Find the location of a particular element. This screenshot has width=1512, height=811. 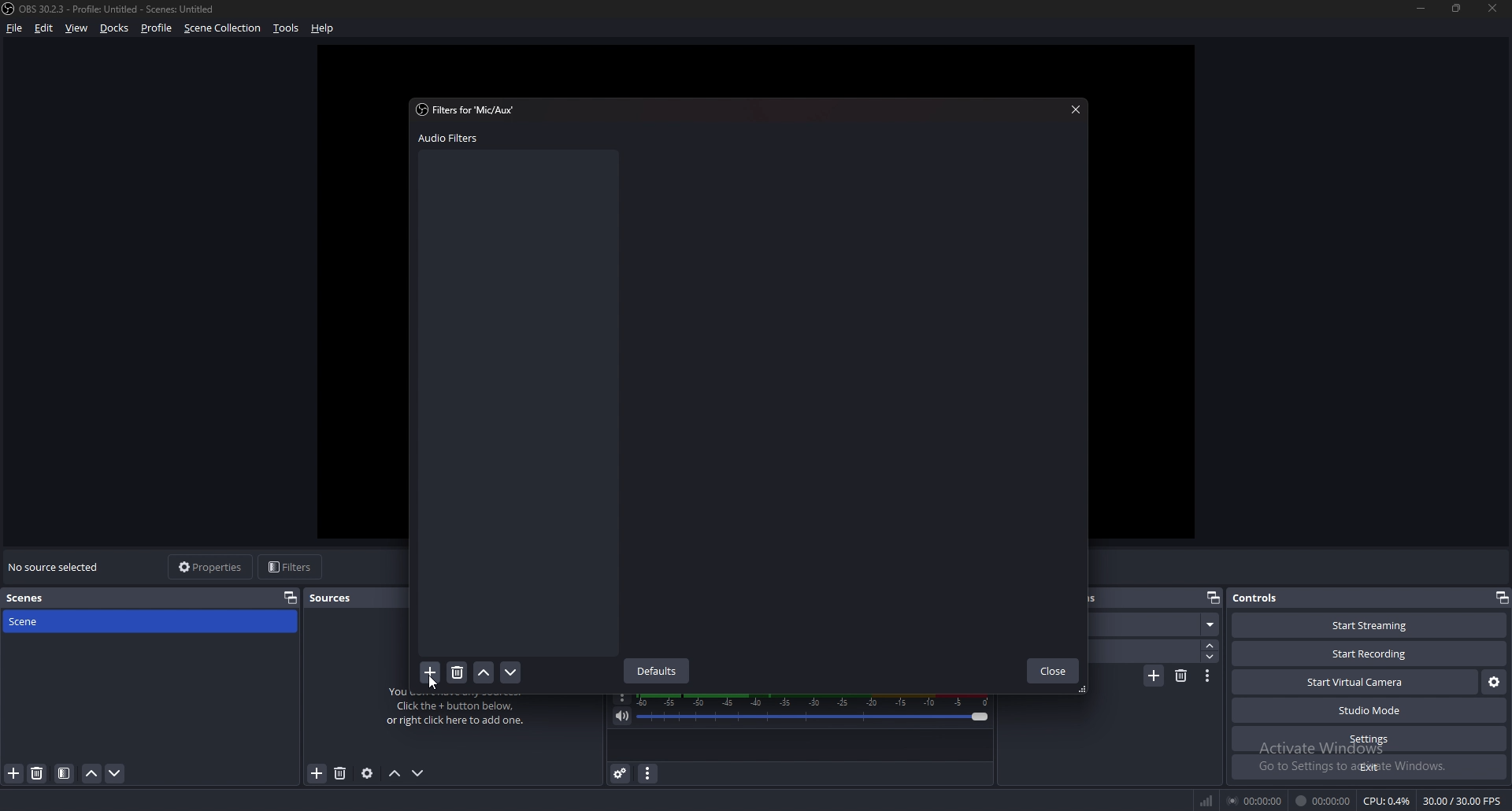

CPU: 0.3% is located at coordinates (1388, 802).